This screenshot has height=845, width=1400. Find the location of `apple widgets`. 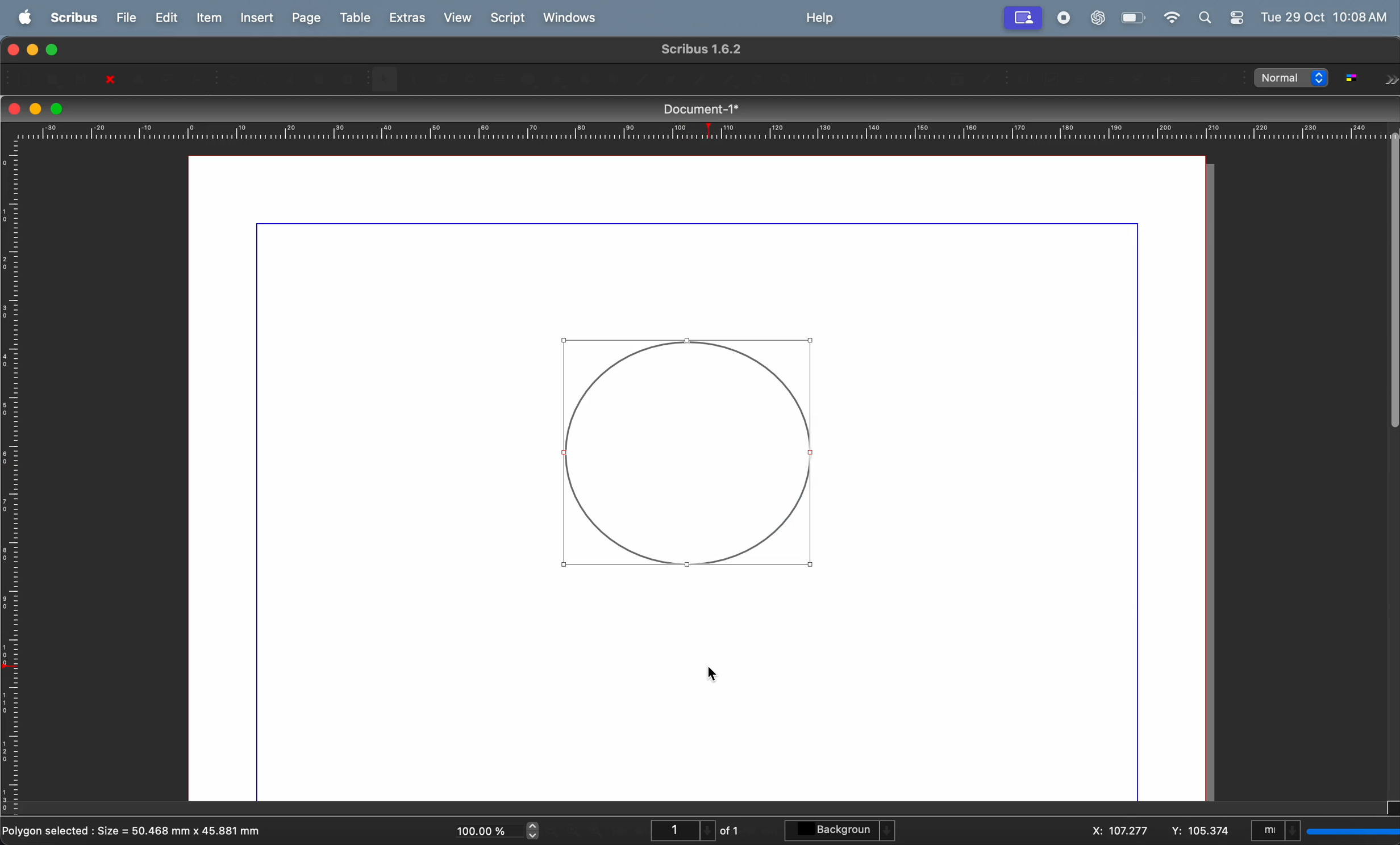

apple widgets is located at coordinates (1223, 16).